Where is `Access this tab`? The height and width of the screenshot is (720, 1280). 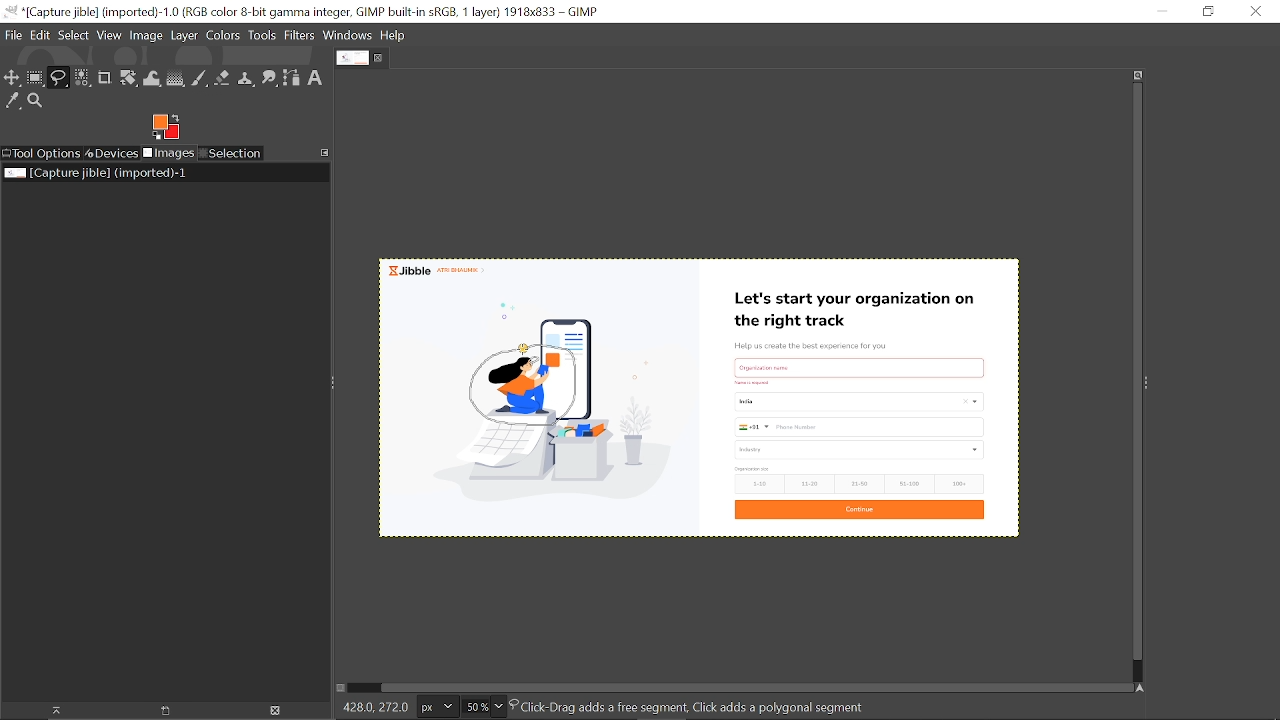 Access this tab is located at coordinates (326, 152).